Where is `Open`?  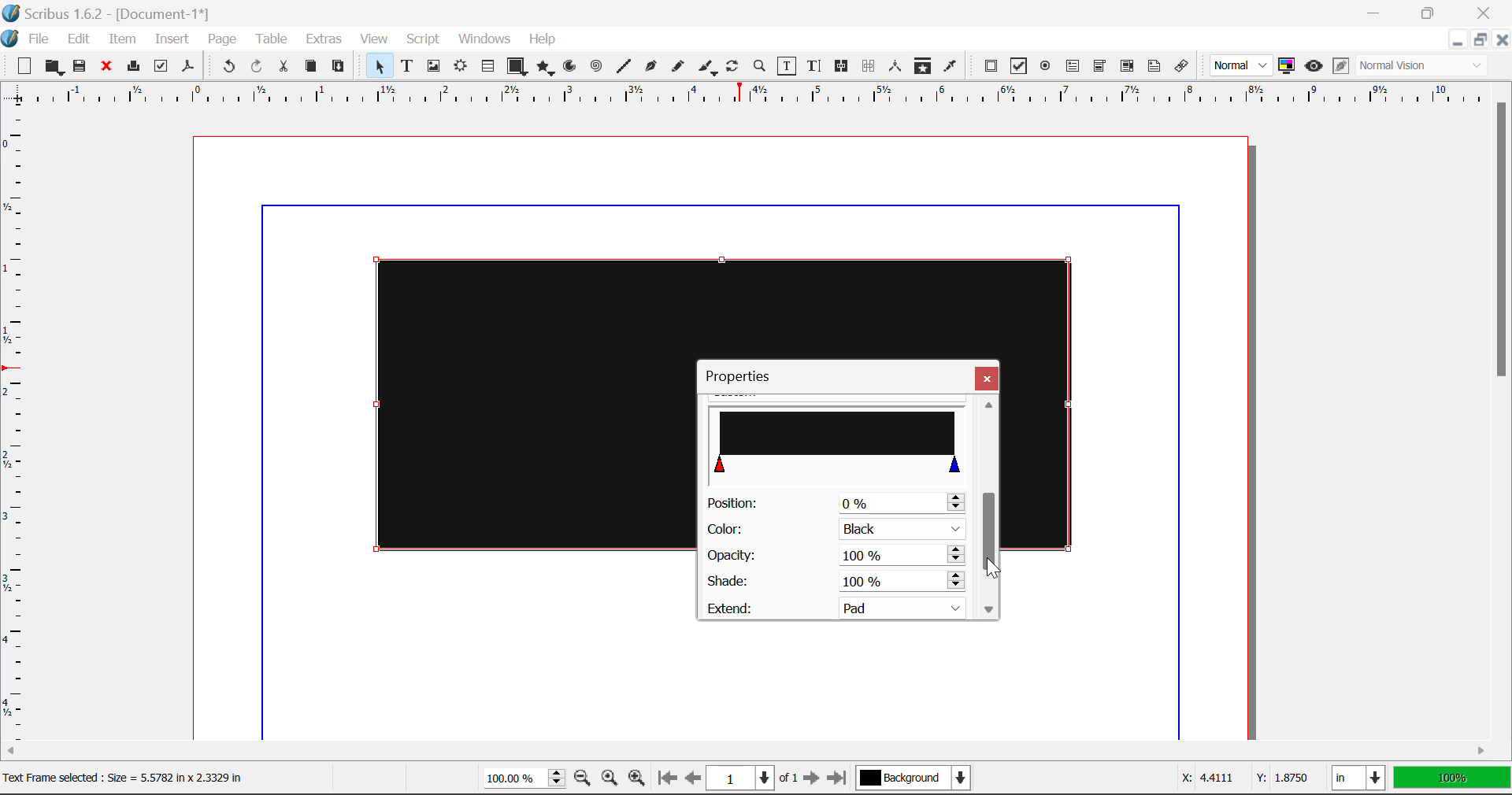 Open is located at coordinates (56, 68).